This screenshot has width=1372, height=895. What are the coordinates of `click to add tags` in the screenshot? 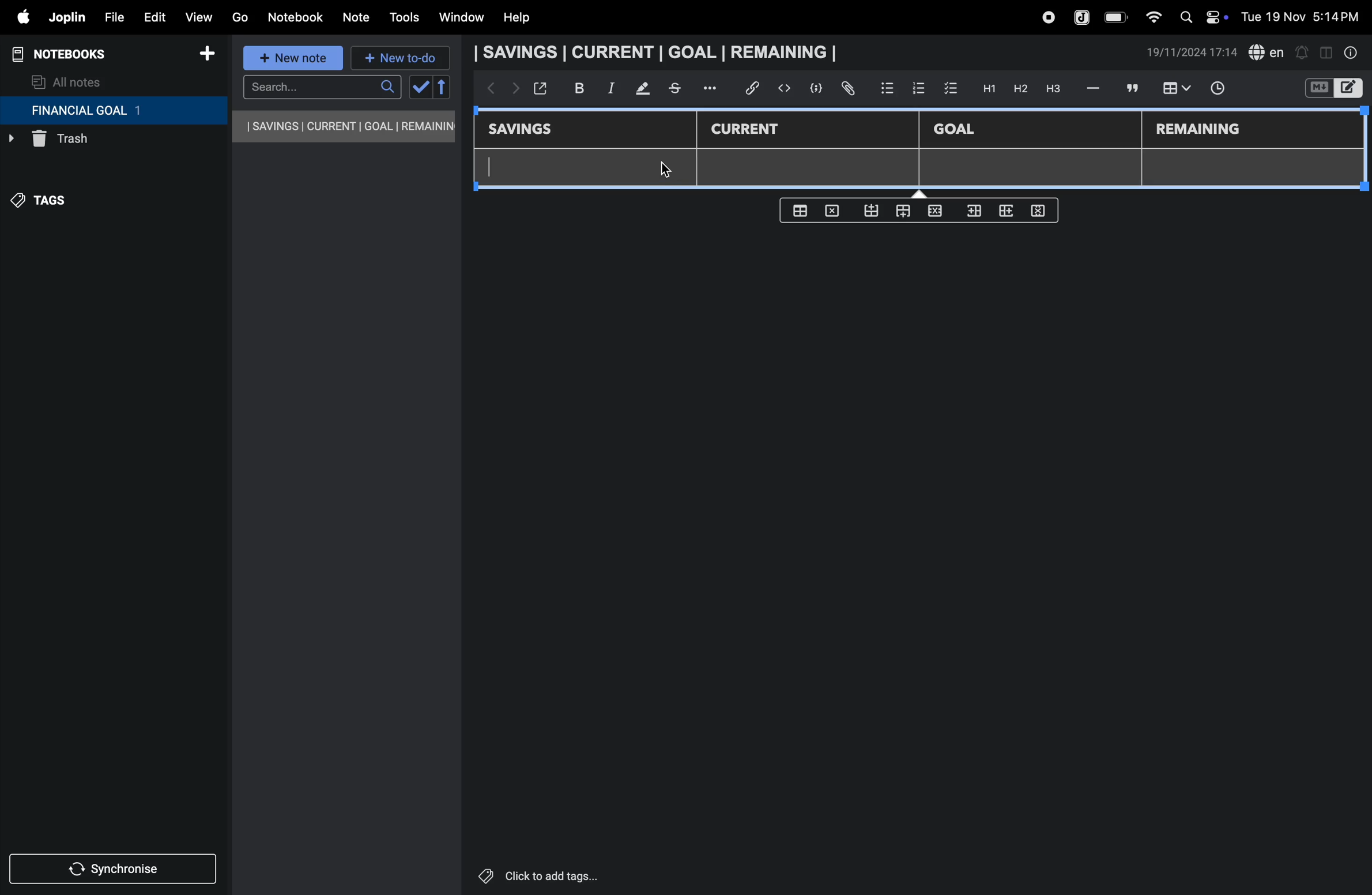 It's located at (567, 875).